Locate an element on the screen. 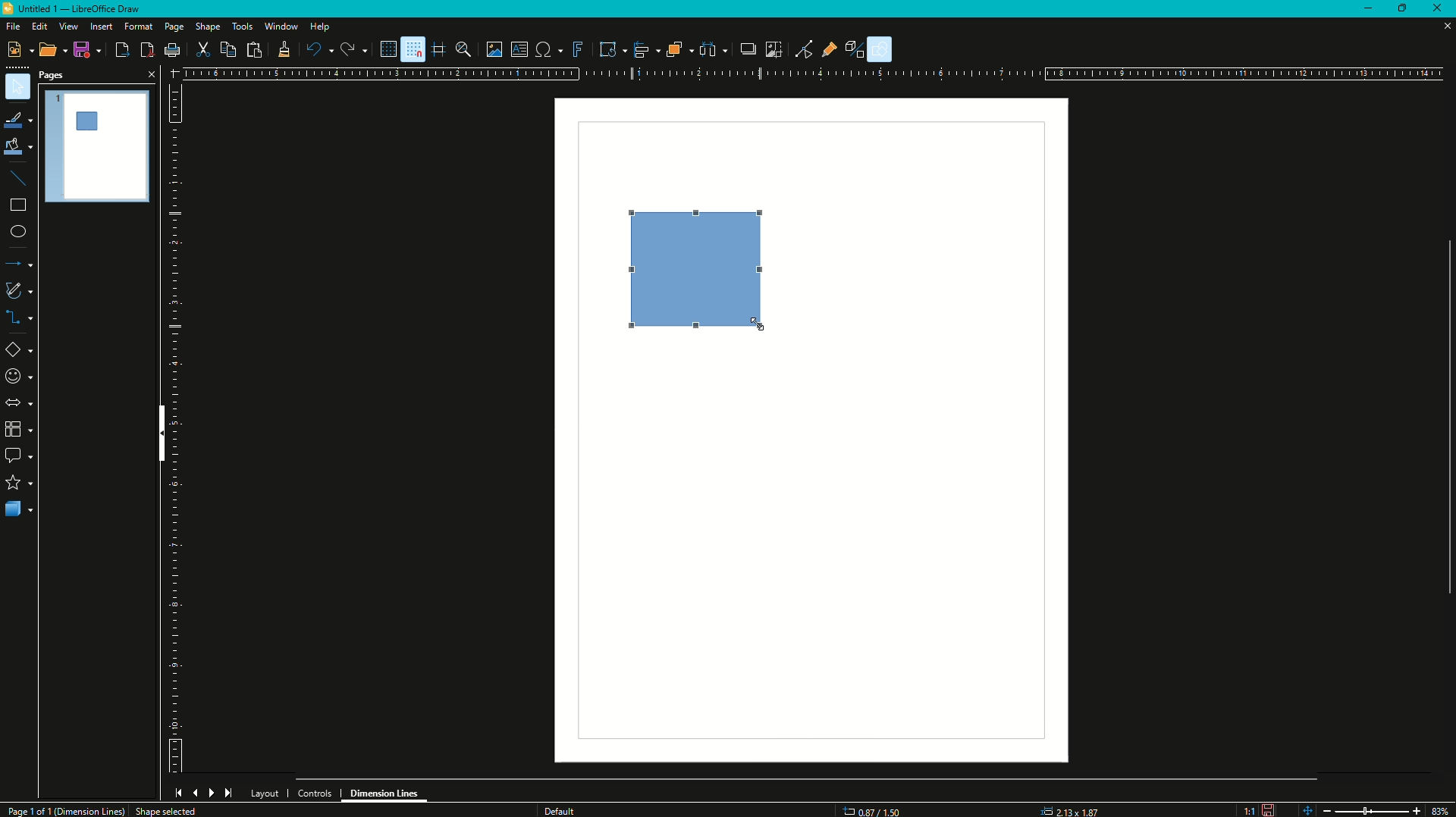 Image resolution: width=1456 pixels, height=817 pixels. Blocks is located at coordinates (17, 429).